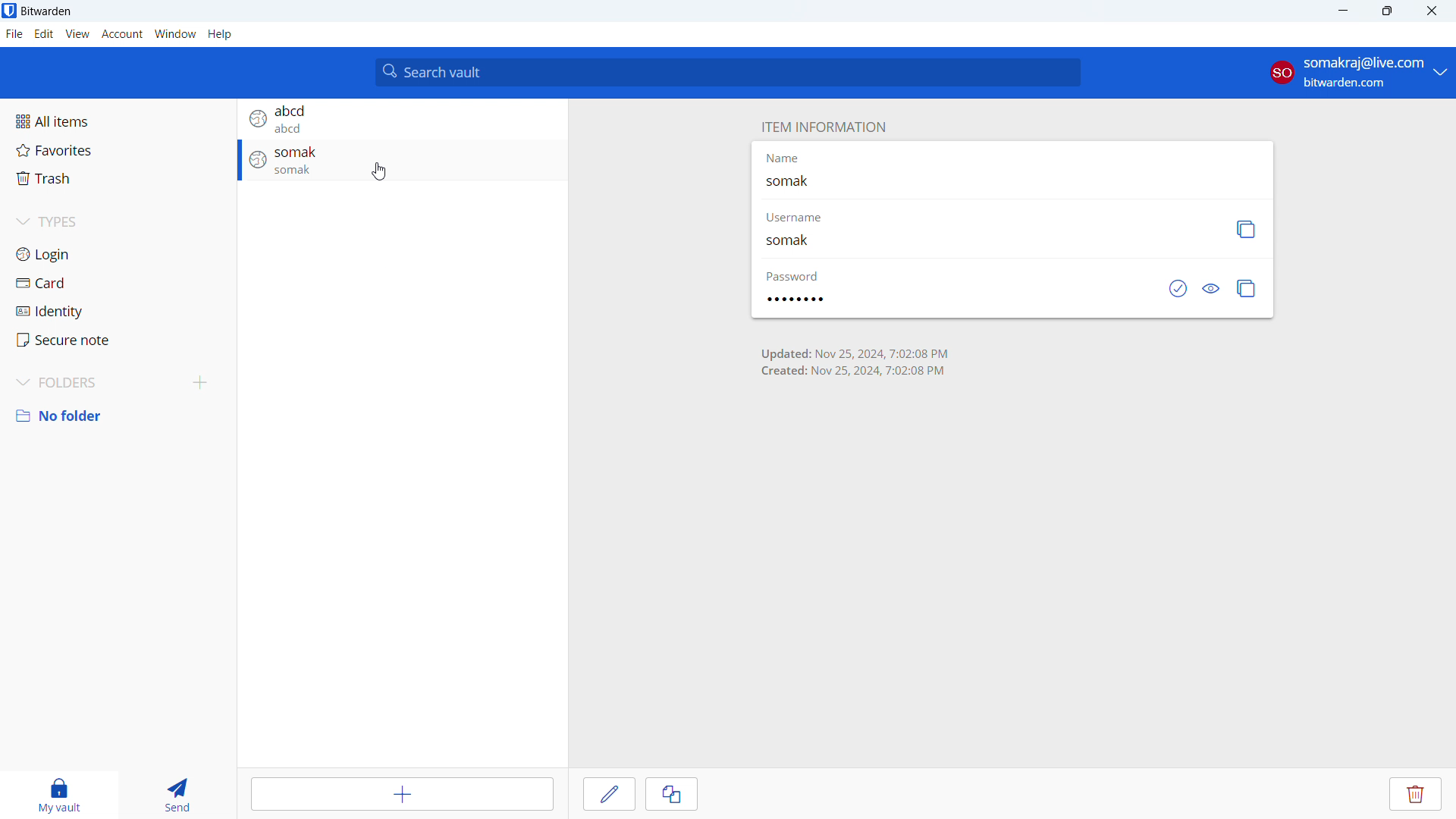 This screenshot has width=1456, height=819. What do you see at coordinates (118, 255) in the screenshot?
I see `login` at bounding box center [118, 255].